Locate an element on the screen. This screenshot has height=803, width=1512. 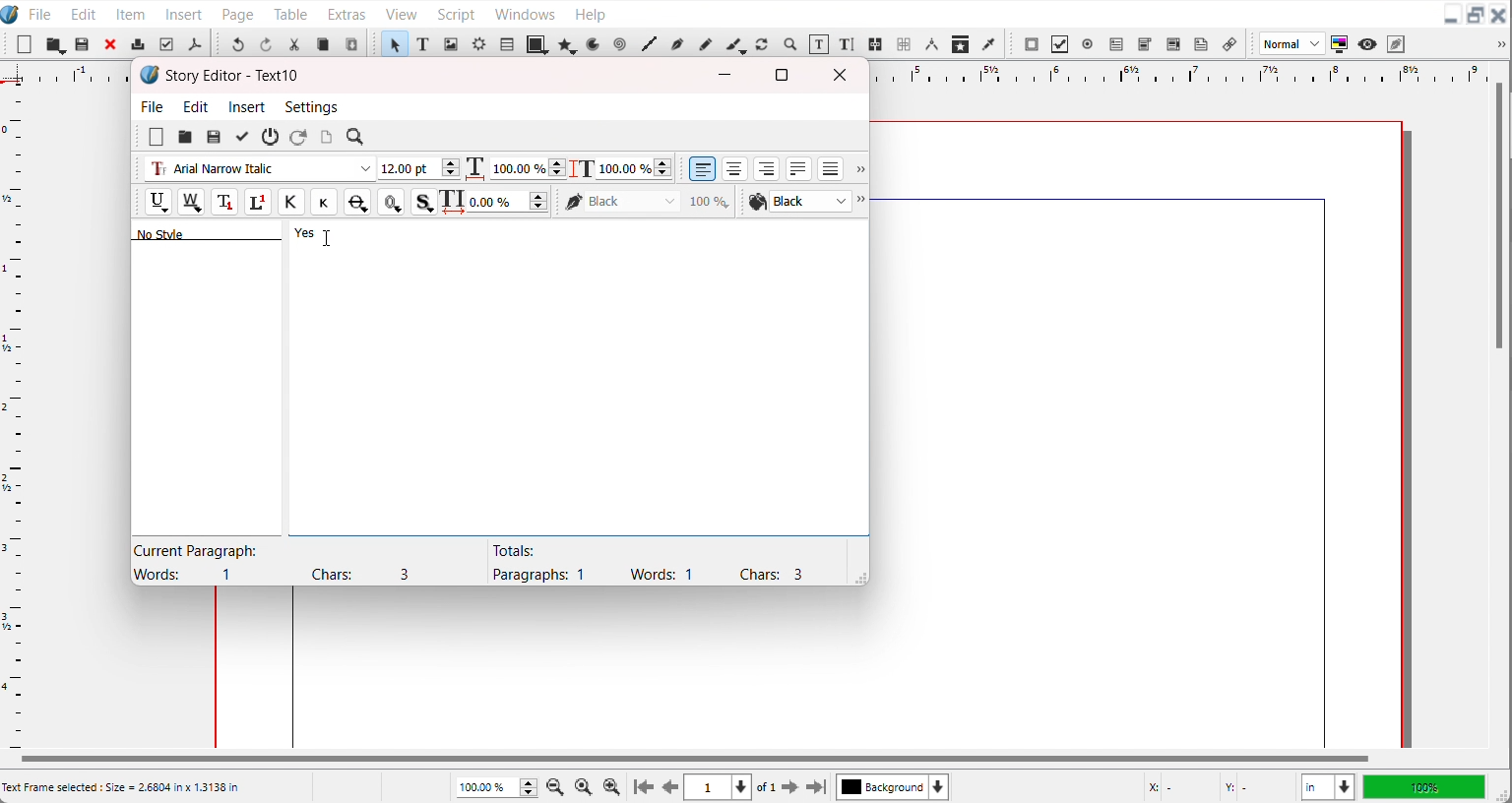
PDF Combo button is located at coordinates (1144, 44).